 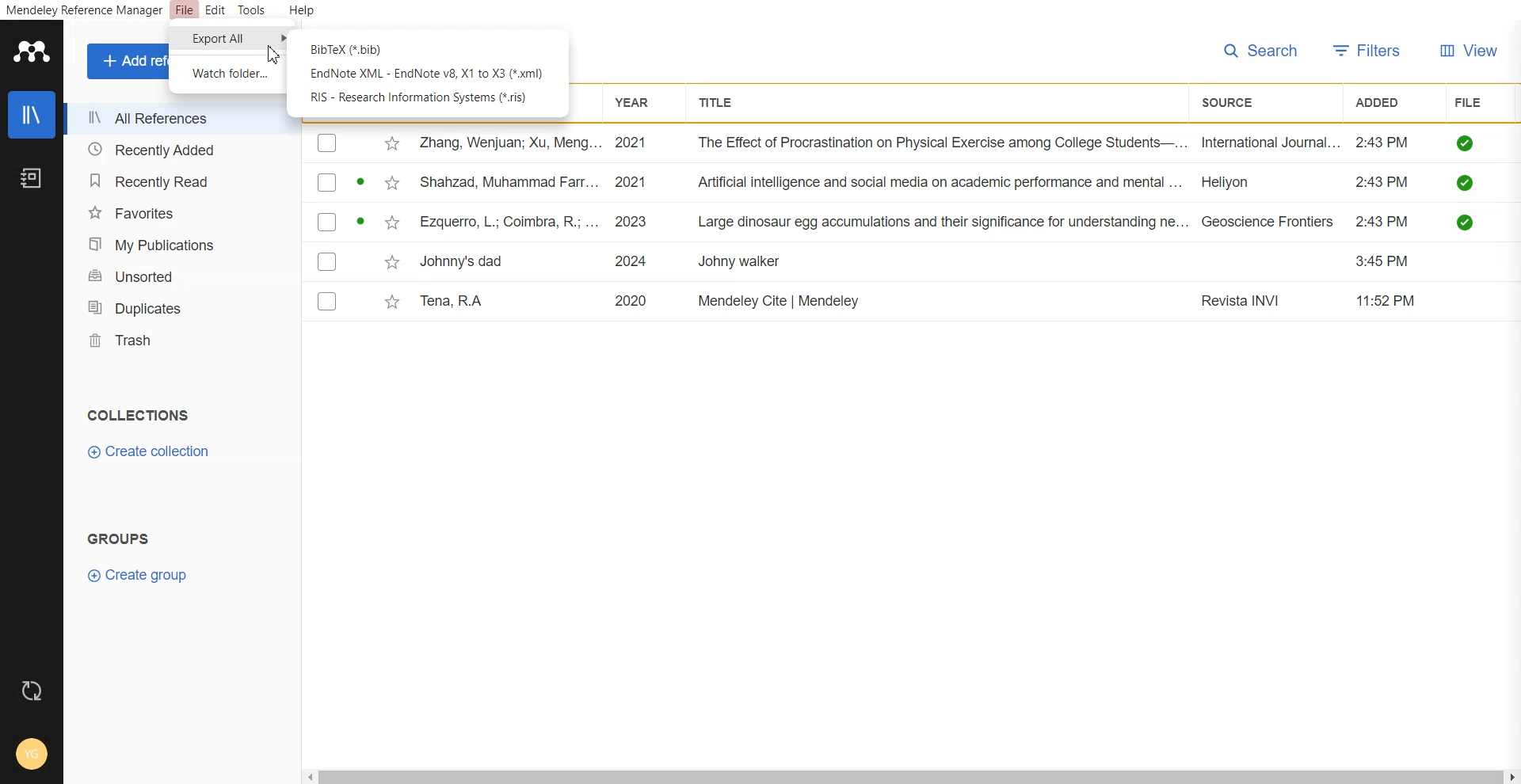 What do you see at coordinates (250, 10) in the screenshot?
I see `Tools` at bounding box center [250, 10].